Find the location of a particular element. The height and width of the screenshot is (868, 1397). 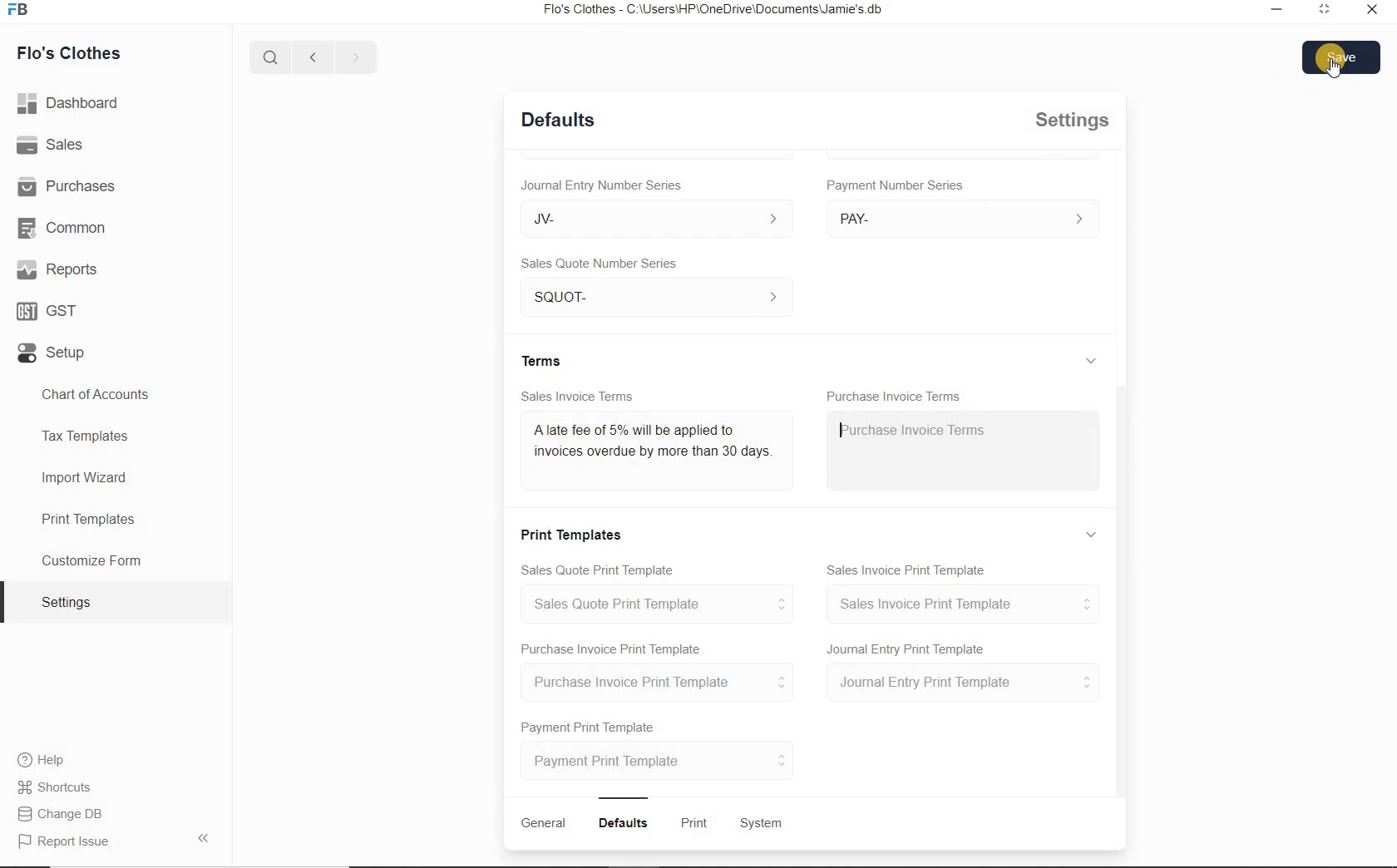

FB logo is located at coordinates (23, 10).